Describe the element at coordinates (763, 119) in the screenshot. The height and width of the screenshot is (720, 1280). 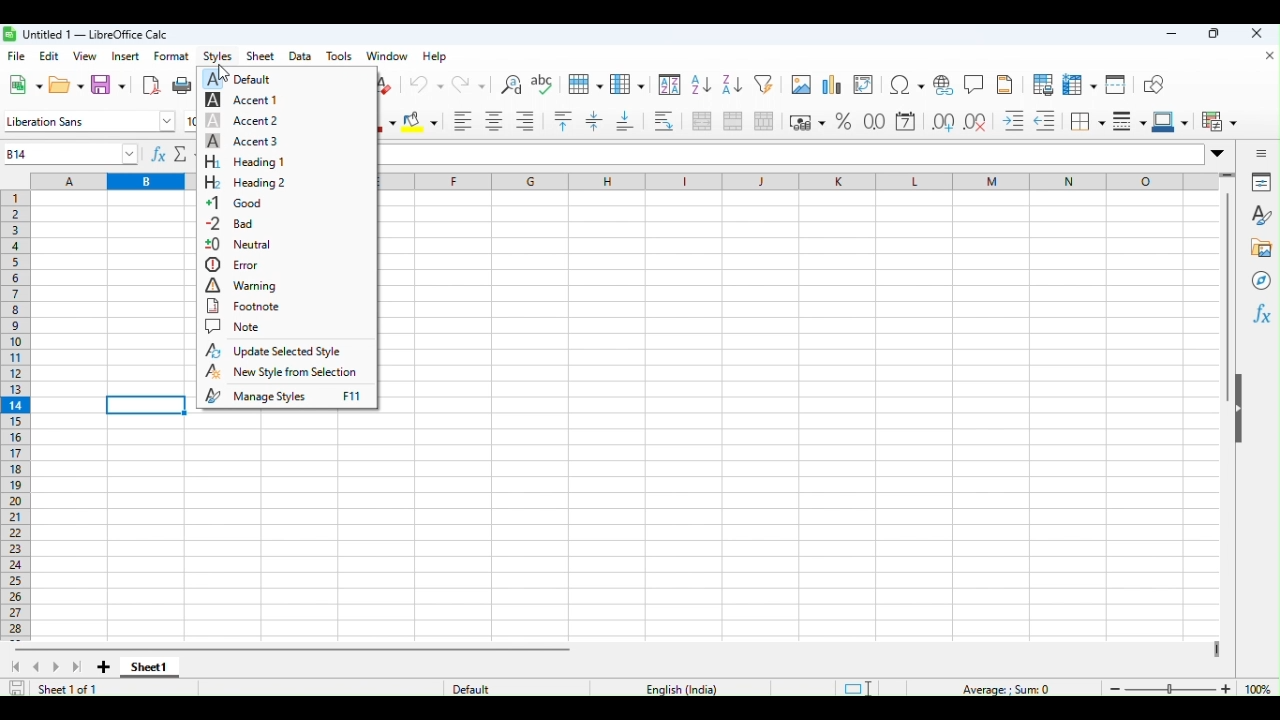
I see `unmerge` at that location.